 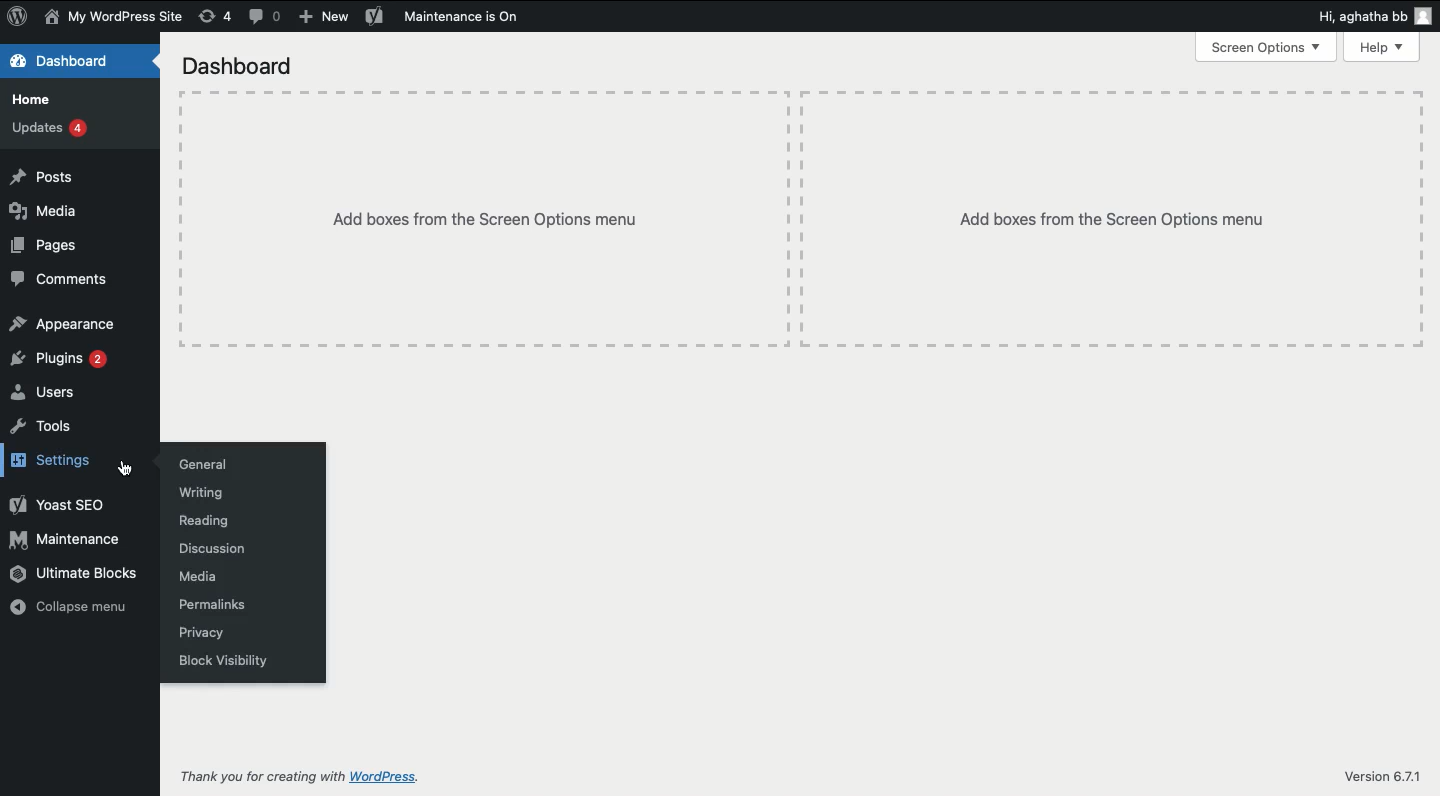 I want to click on reading, so click(x=201, y=520).